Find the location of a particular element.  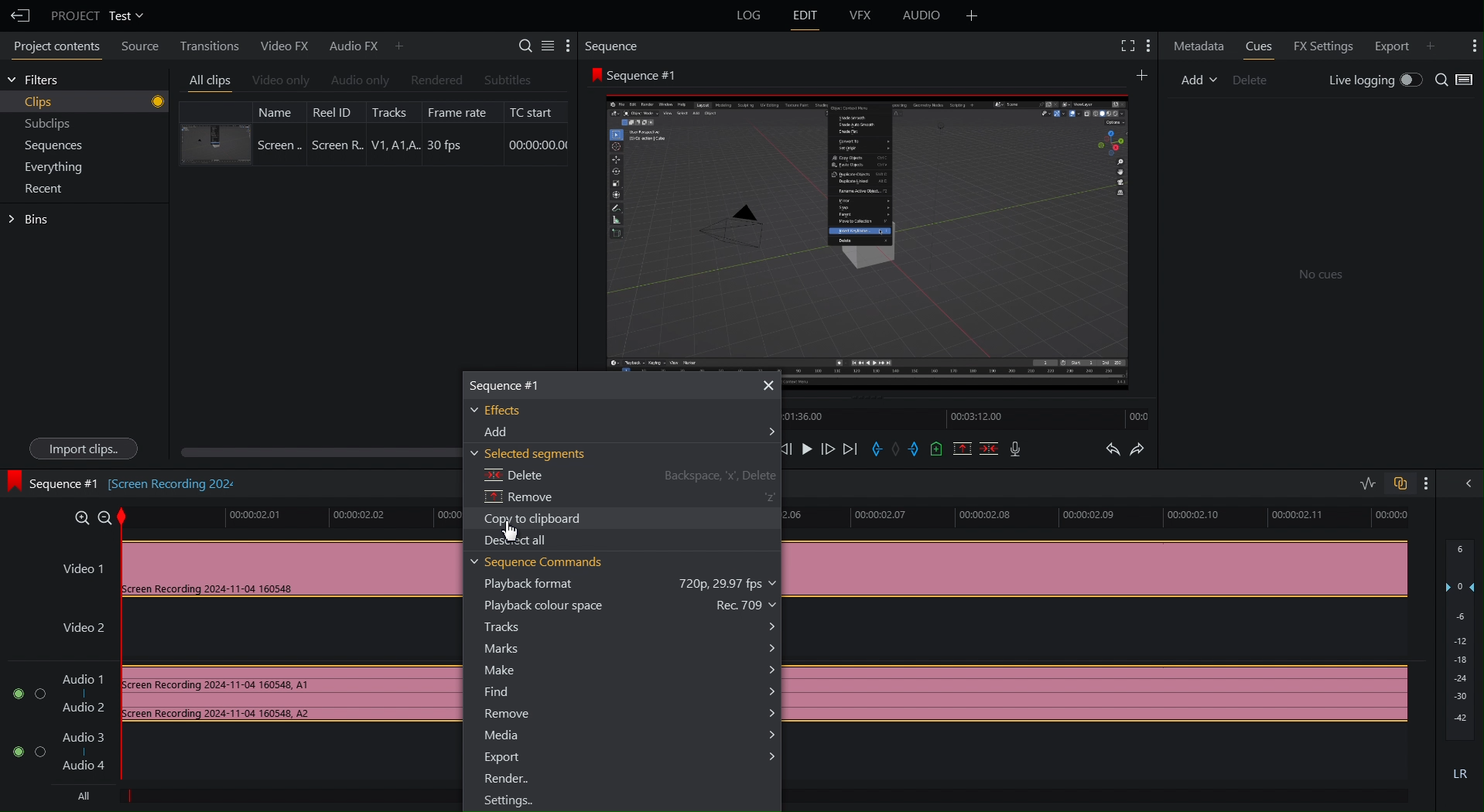

Export is located at coordinates (1400, 46).